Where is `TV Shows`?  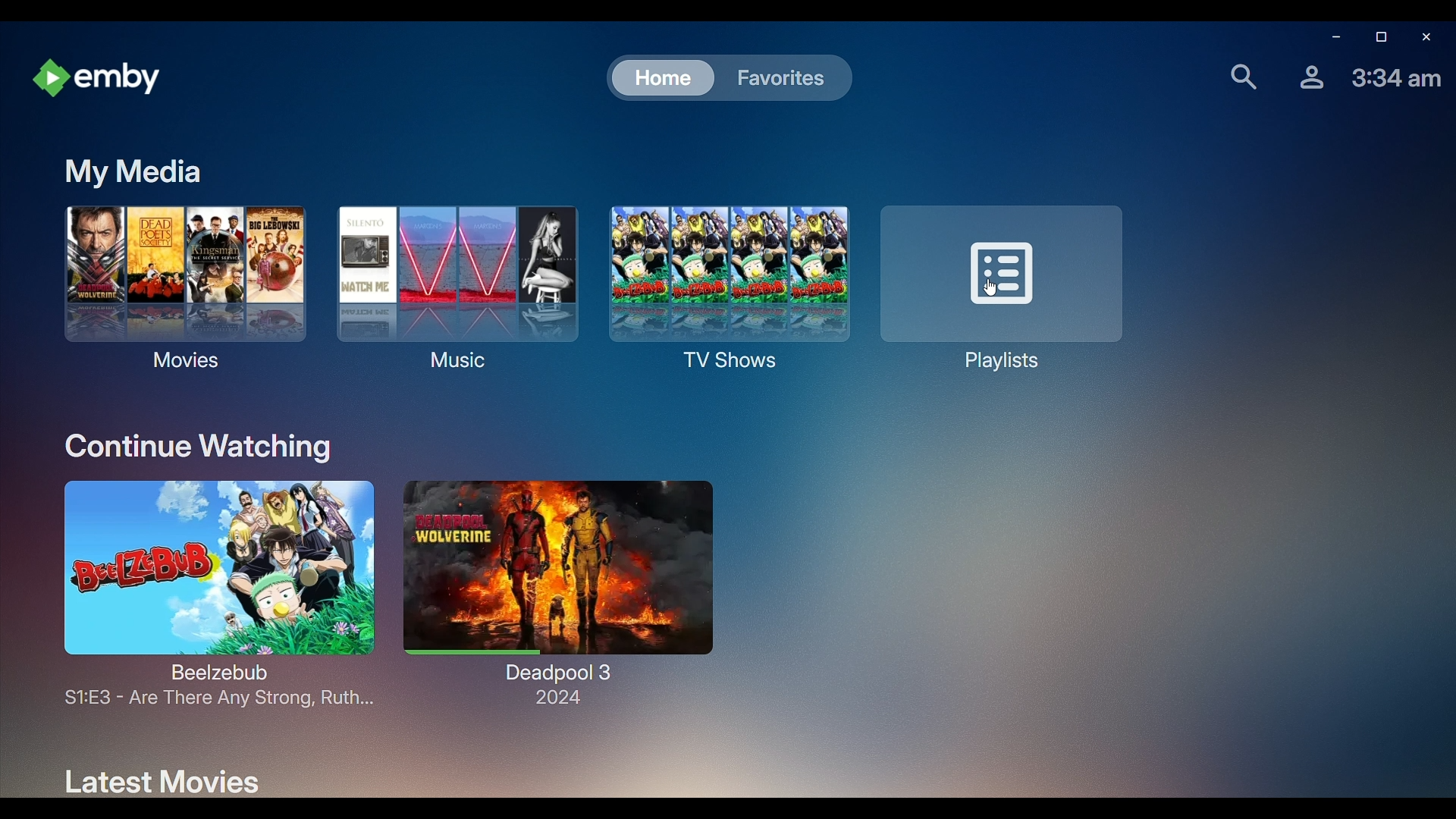
TV Shows is located at coordinates (723, 289).